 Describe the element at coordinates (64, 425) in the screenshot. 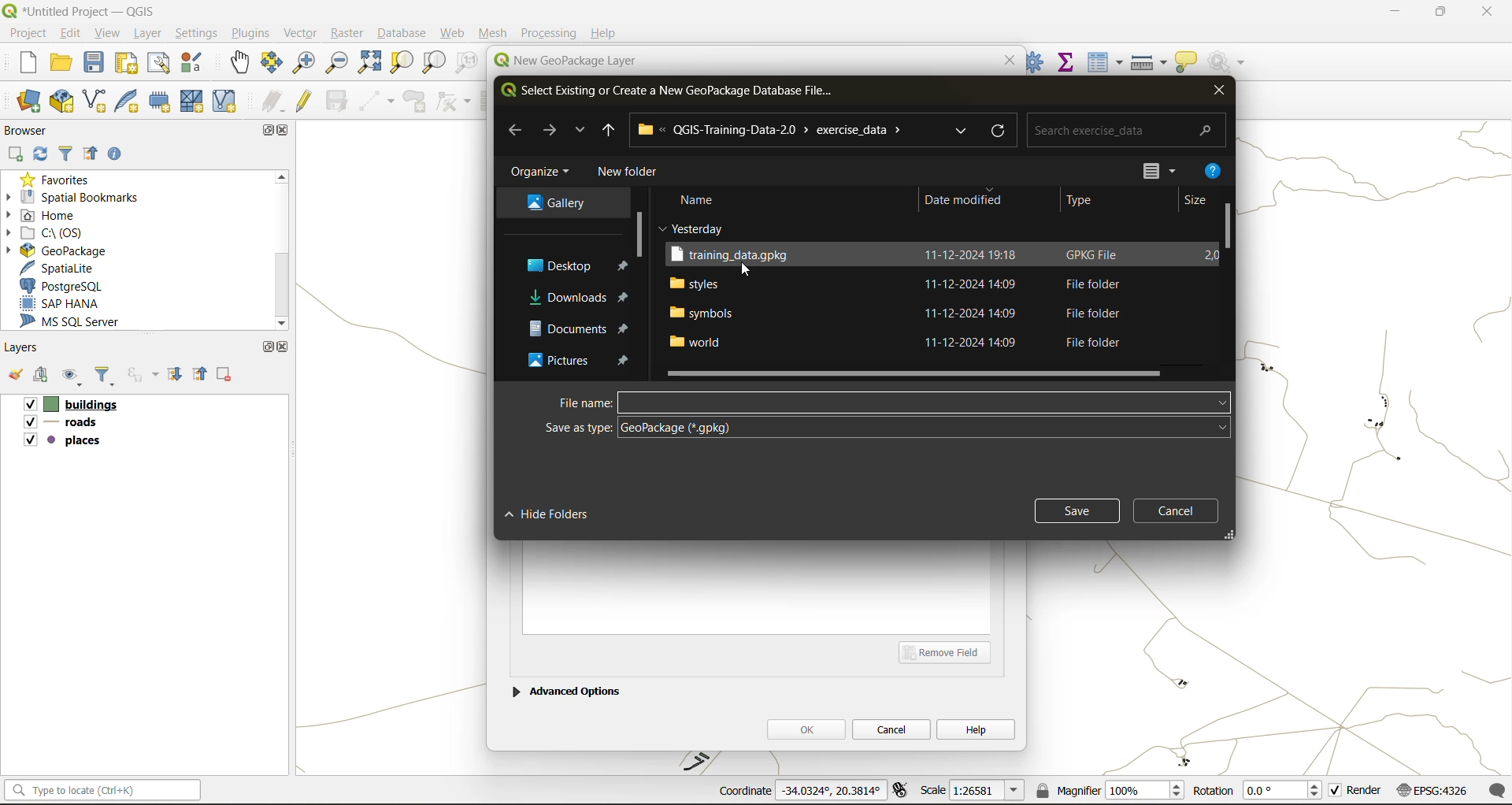

I see `roads` at that location.